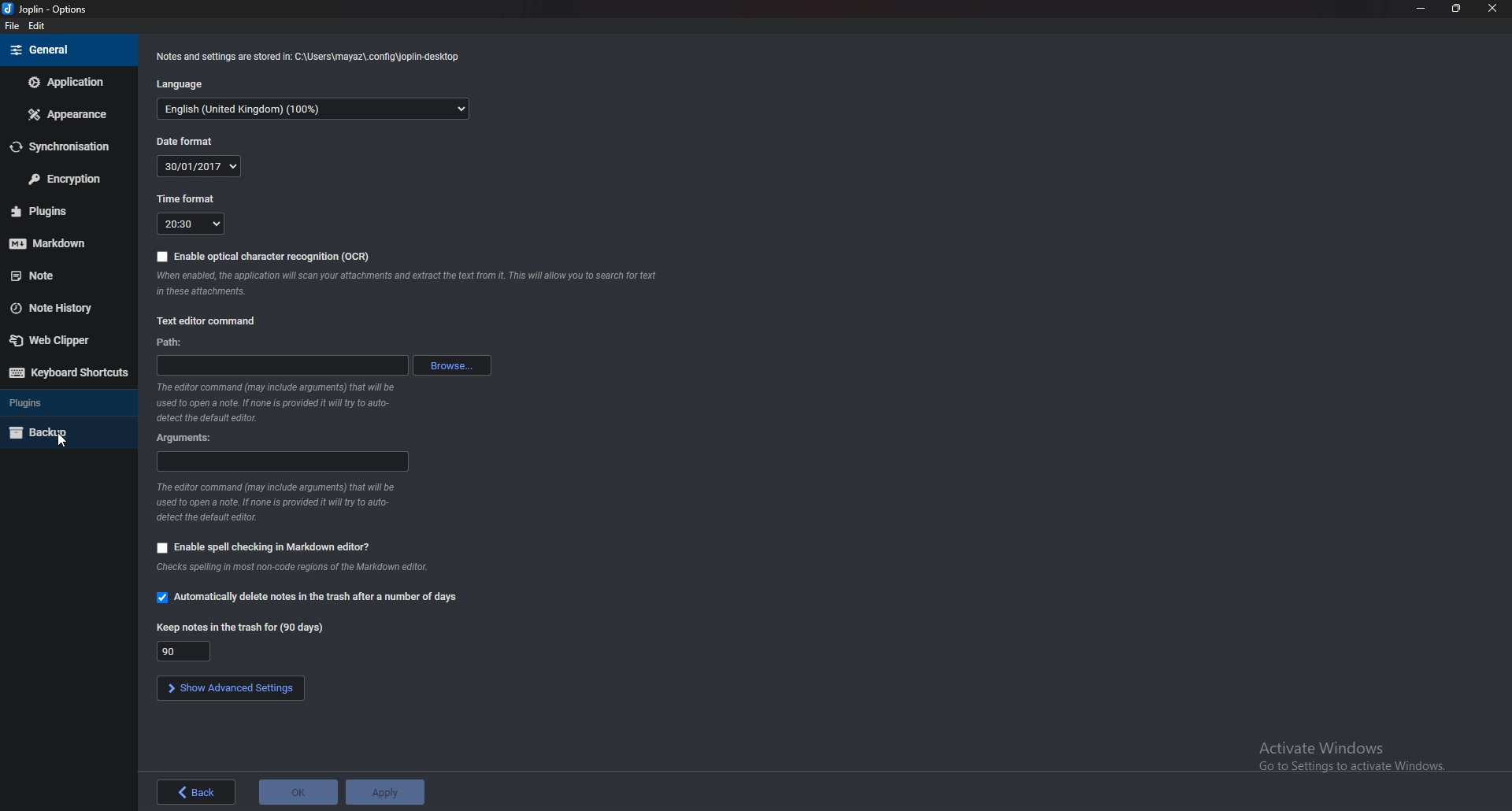 This screenshot has width=1512, height=811. Describe the element at coordinates (1423, 8) in the screenshot. I see `Minimize` at that location.